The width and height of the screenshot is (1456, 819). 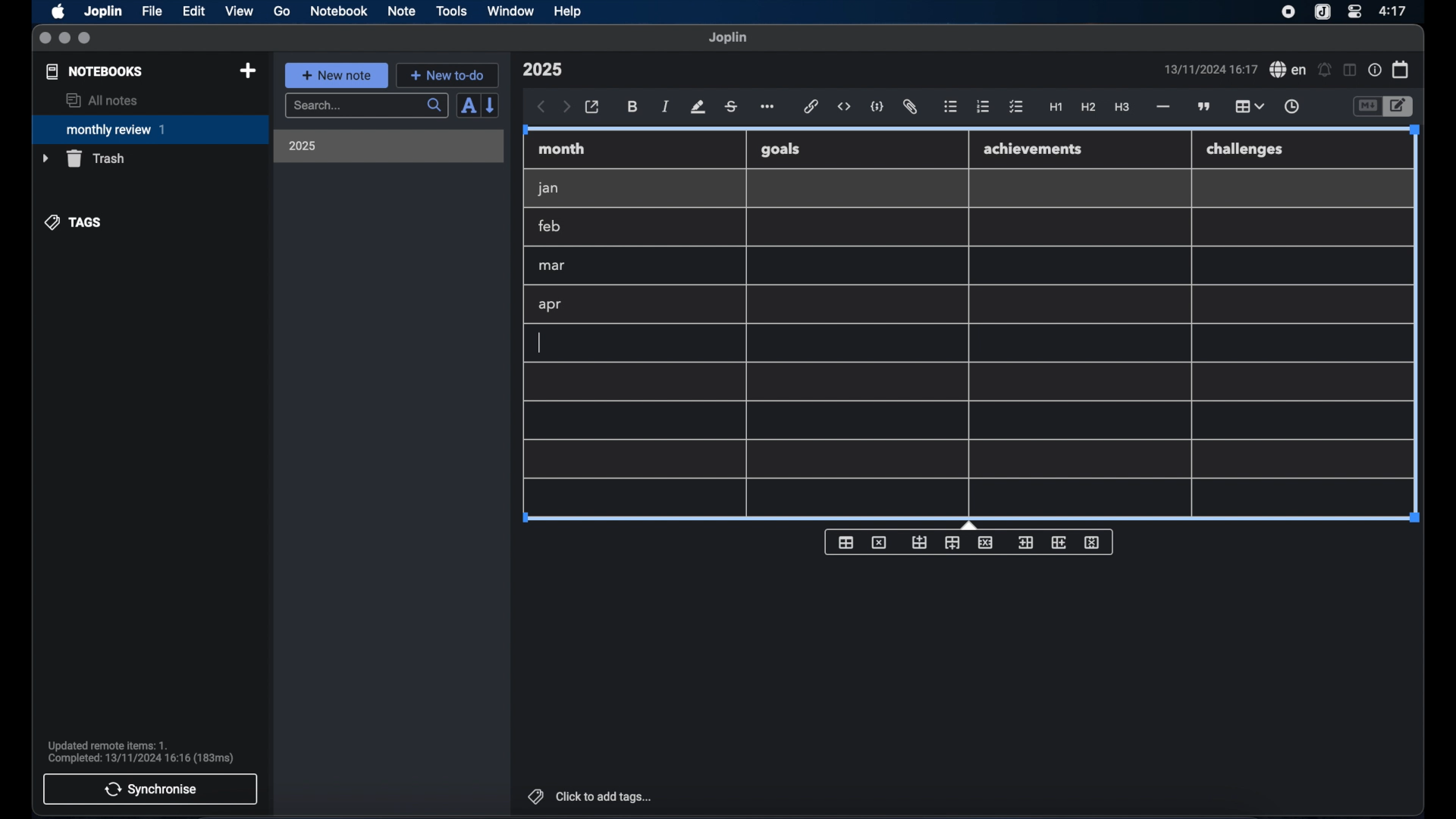 What do you see at coordinates (105, 12) in the screenshot?
I see `Joplin` at bounding box center [105, 12].